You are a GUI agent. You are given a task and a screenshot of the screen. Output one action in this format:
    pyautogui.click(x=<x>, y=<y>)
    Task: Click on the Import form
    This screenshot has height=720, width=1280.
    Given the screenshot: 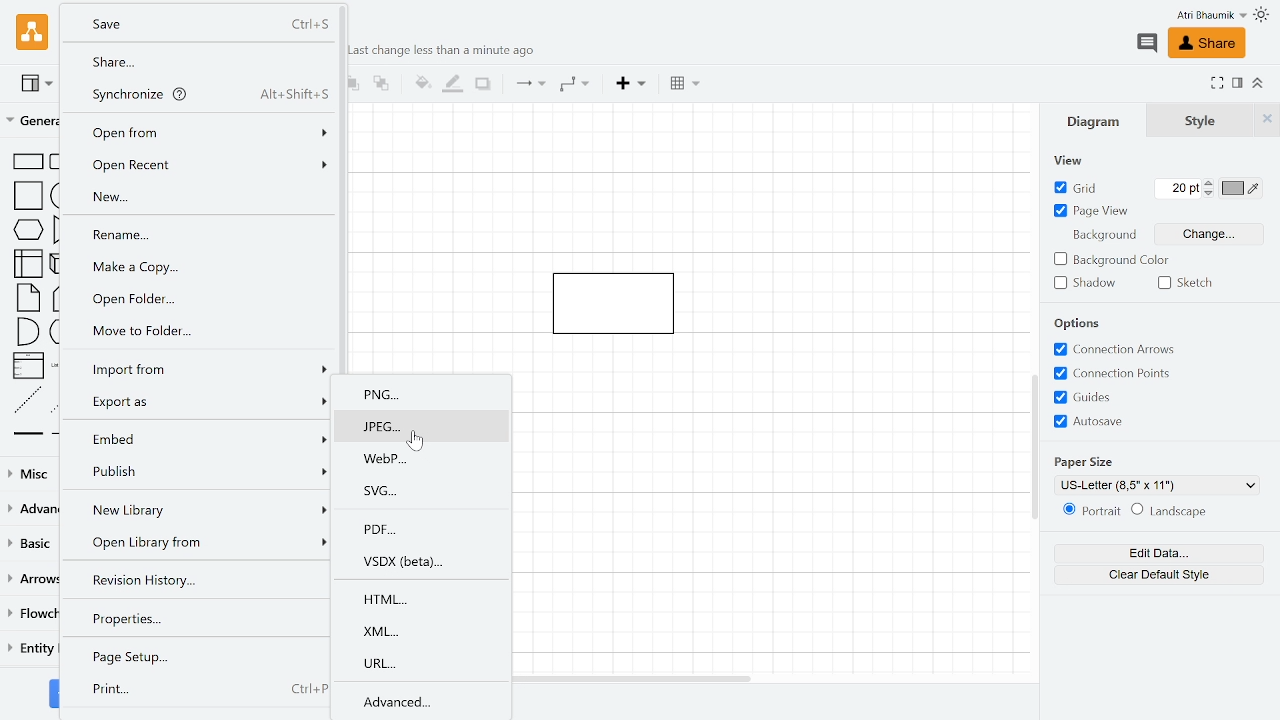 What is the action you would take?
    pyautogui.click(x=201, y=366)
    